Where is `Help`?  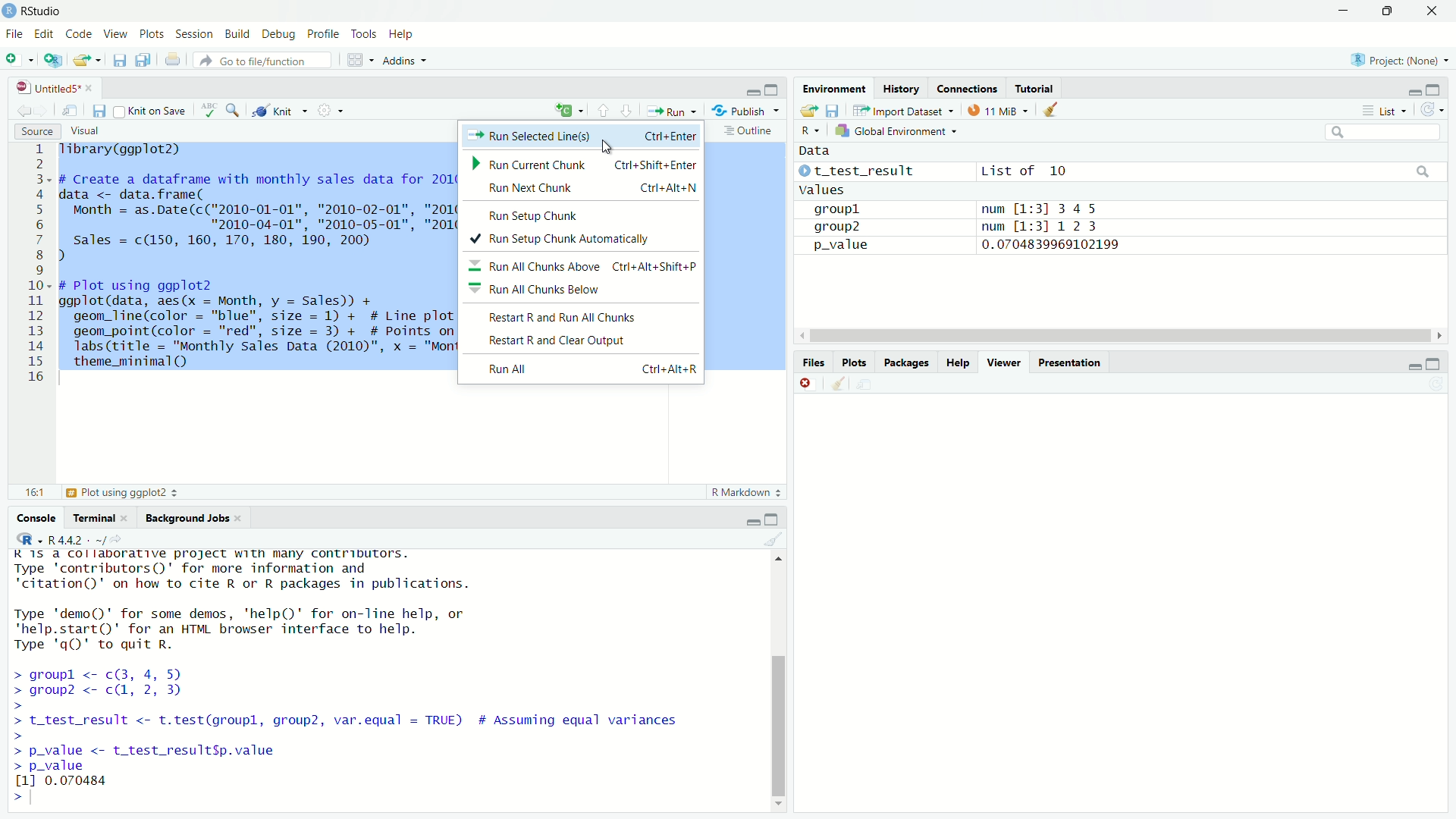 Help is located at coordinates (406, 34).